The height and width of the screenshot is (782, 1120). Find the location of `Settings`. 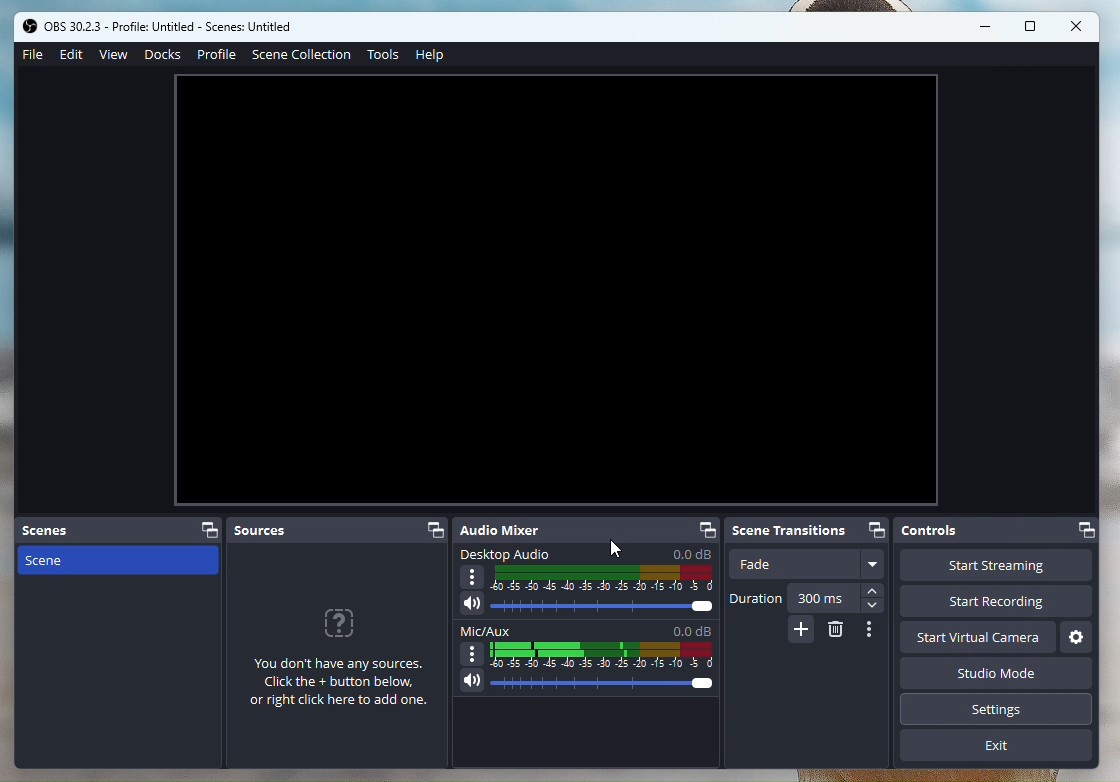

Settings is located at coordinates (997, 709).